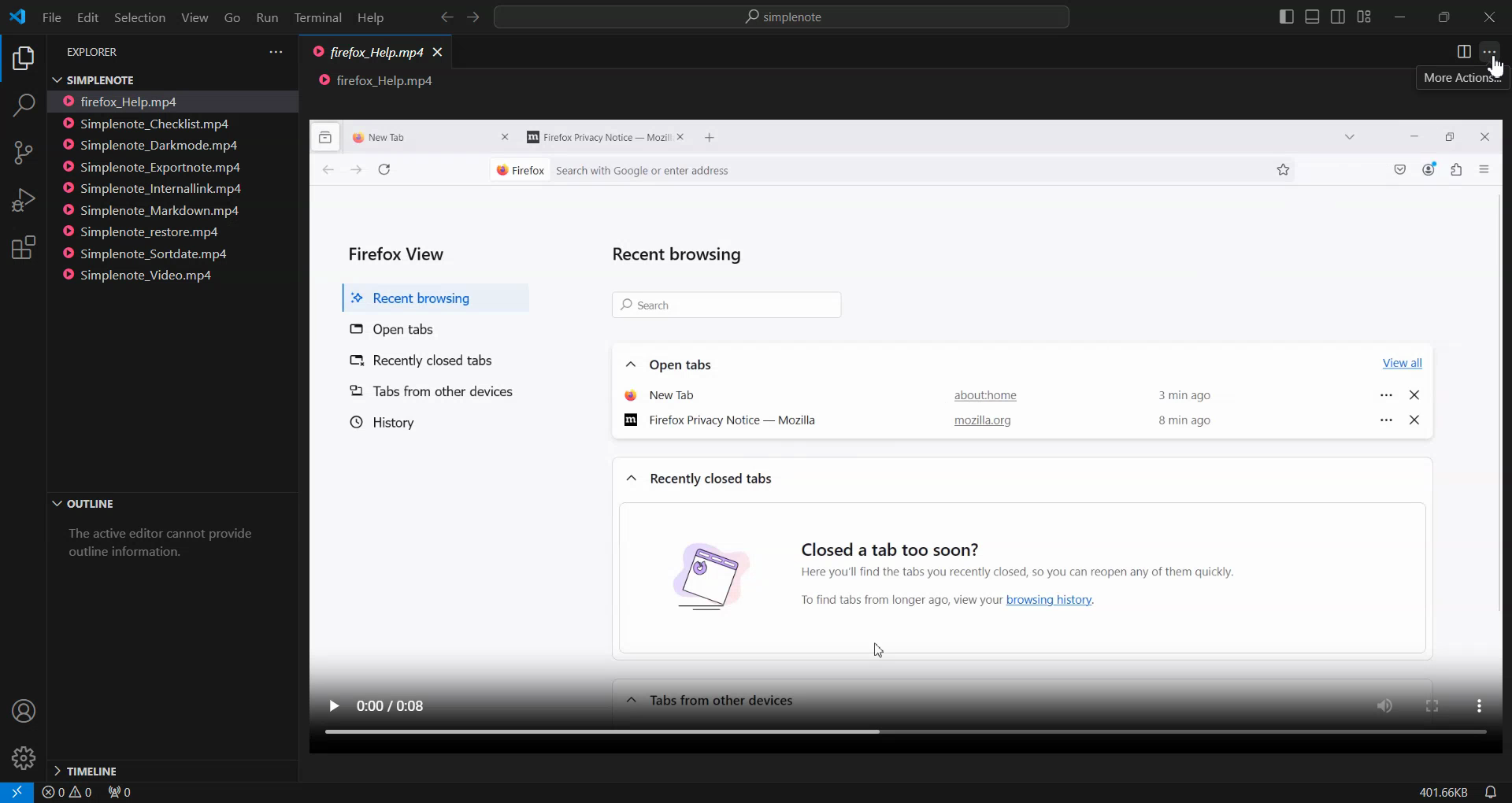 This screenshot has width=1512, height=803. Describe the element at coordinates (1399, 18) in the screenshot. I see `Minimize` at that location.